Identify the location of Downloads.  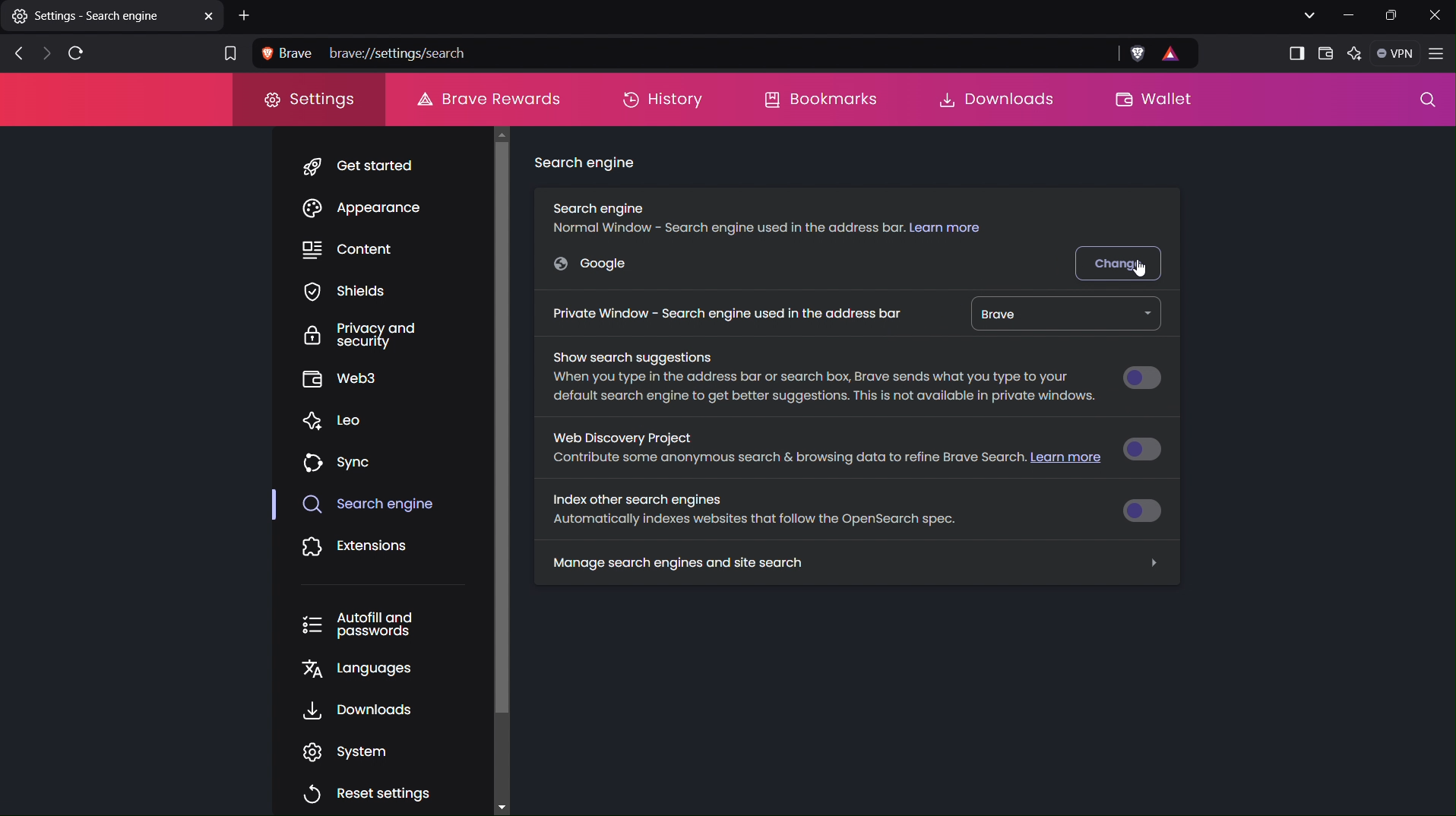
(989, 99).